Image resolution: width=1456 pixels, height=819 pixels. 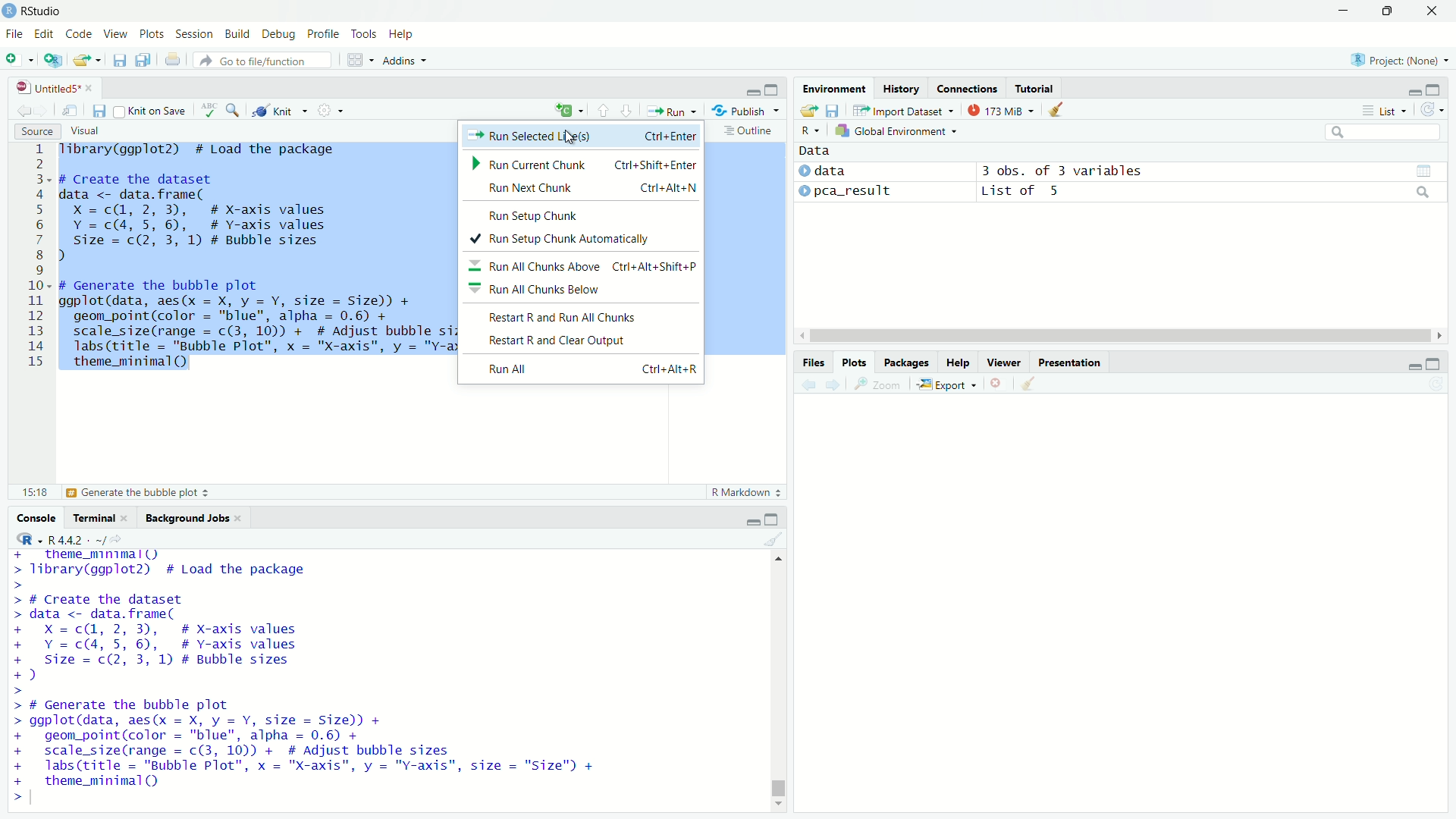 I want to click on maximize, so click(x=1436, y=88).